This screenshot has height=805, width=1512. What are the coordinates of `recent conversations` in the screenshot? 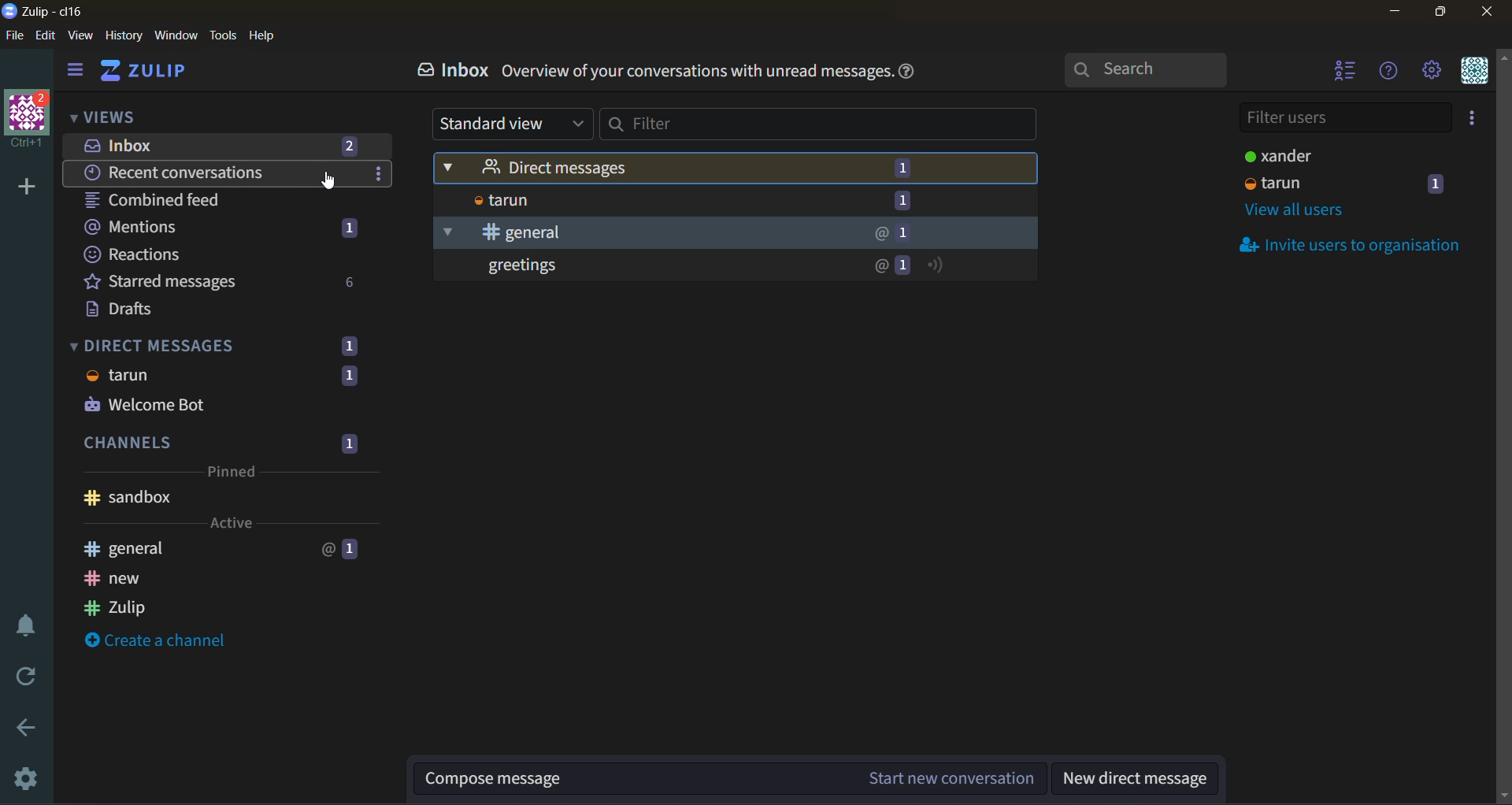 It's located at (188, 172).